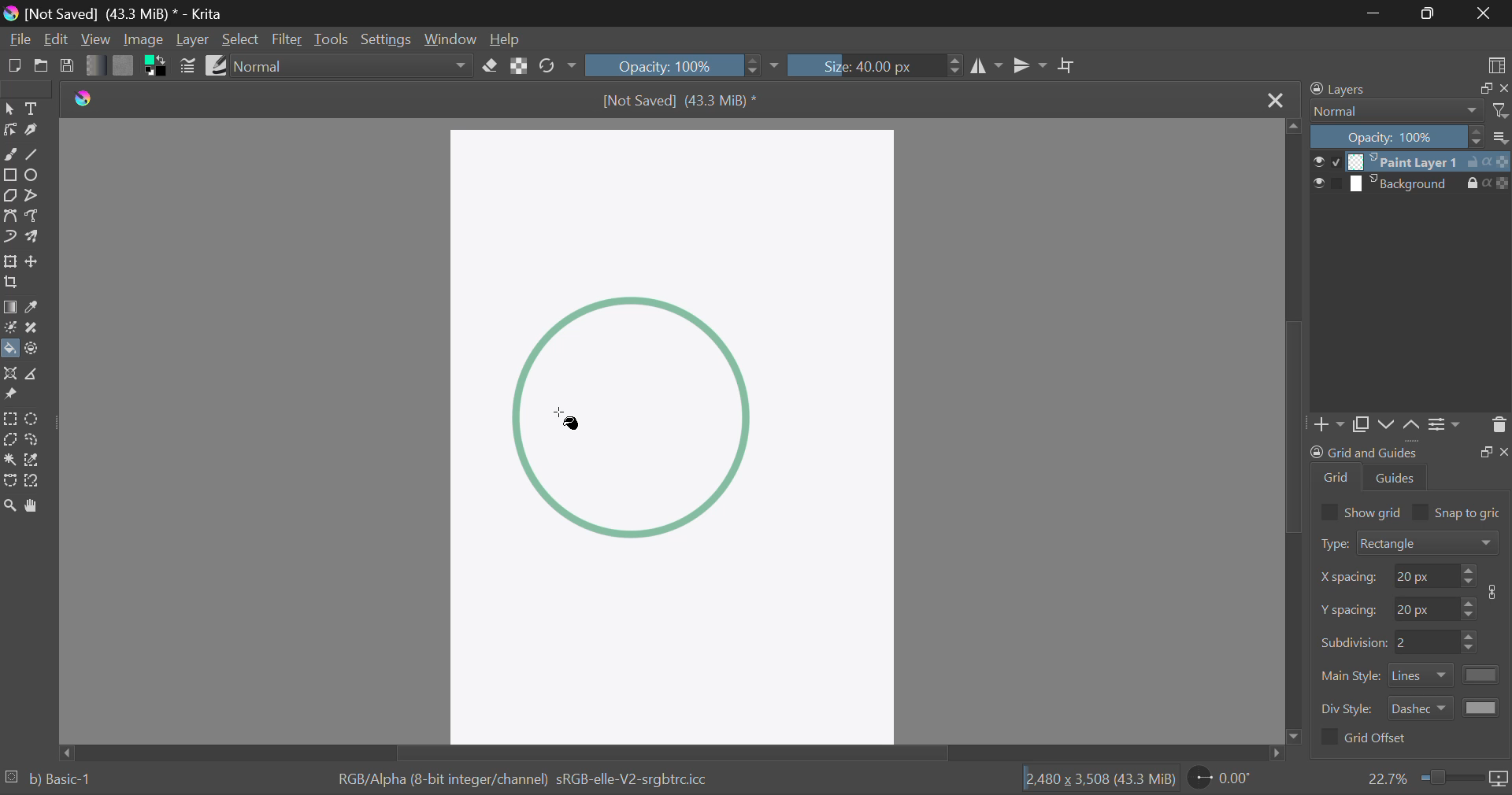 This screenshot has height=795, width=1512. Describe the element at coordinates (643, 428) in the screenshot. I see `shape` at that location.